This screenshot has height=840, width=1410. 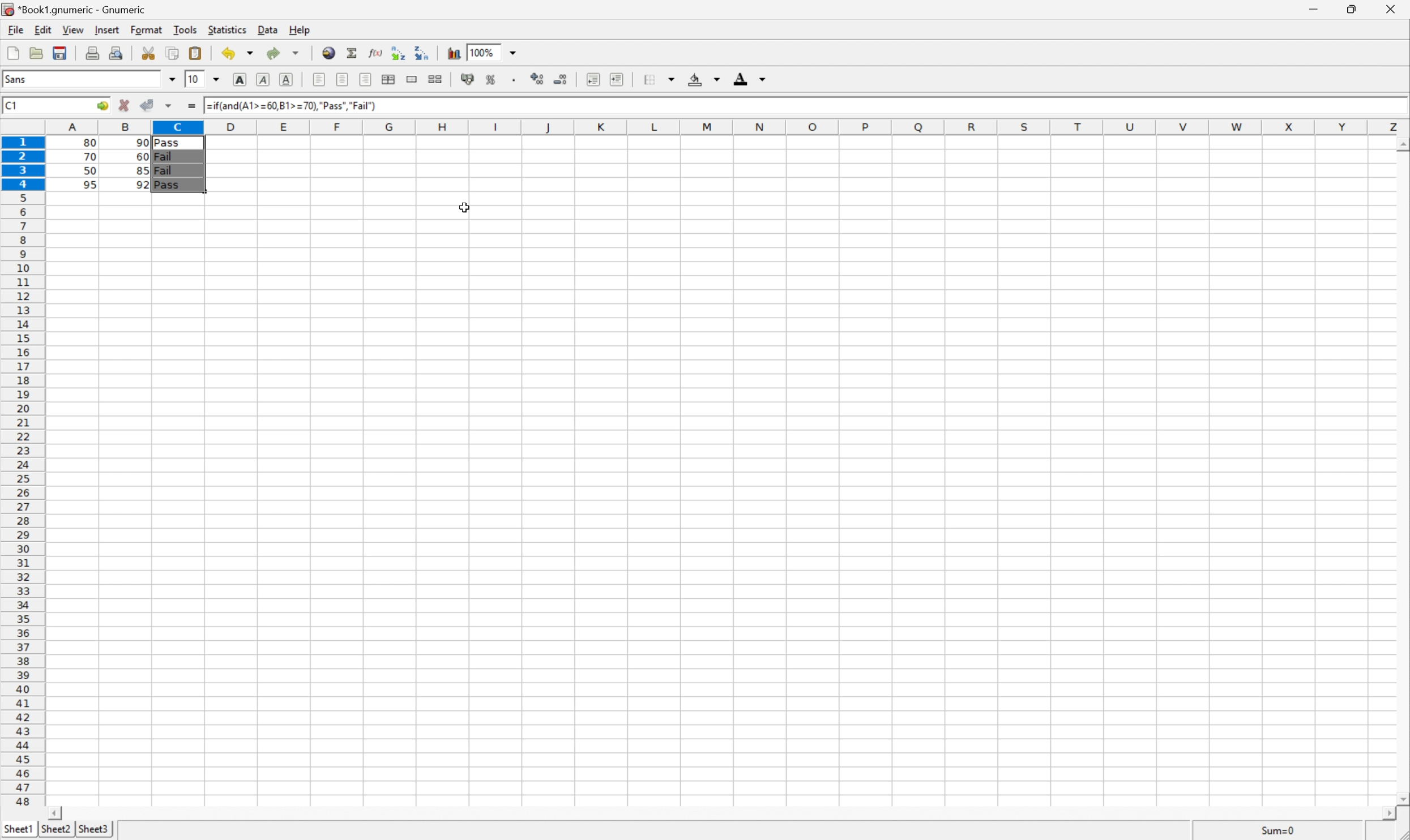 What do you see at coordinates (516, 77) in the screenshot?
I see `Set the format of the selected cells to include a thousands separator` at bounding box center [516, 77].